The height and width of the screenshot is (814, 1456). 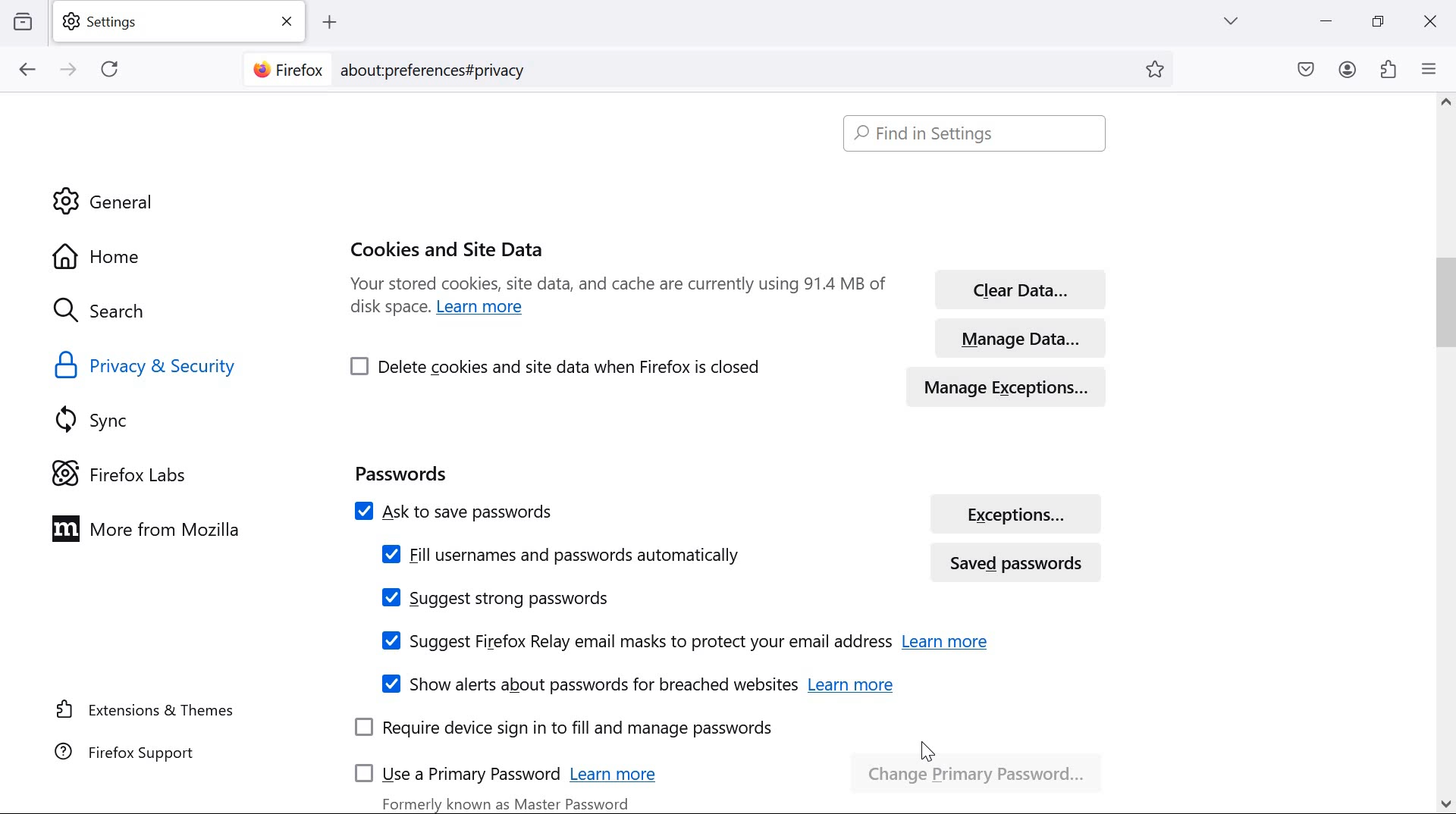 What do you see at coordinates (443, 69) in the screenshot?
I see `about:preferences#privacy` at bounding box center [443, 69].